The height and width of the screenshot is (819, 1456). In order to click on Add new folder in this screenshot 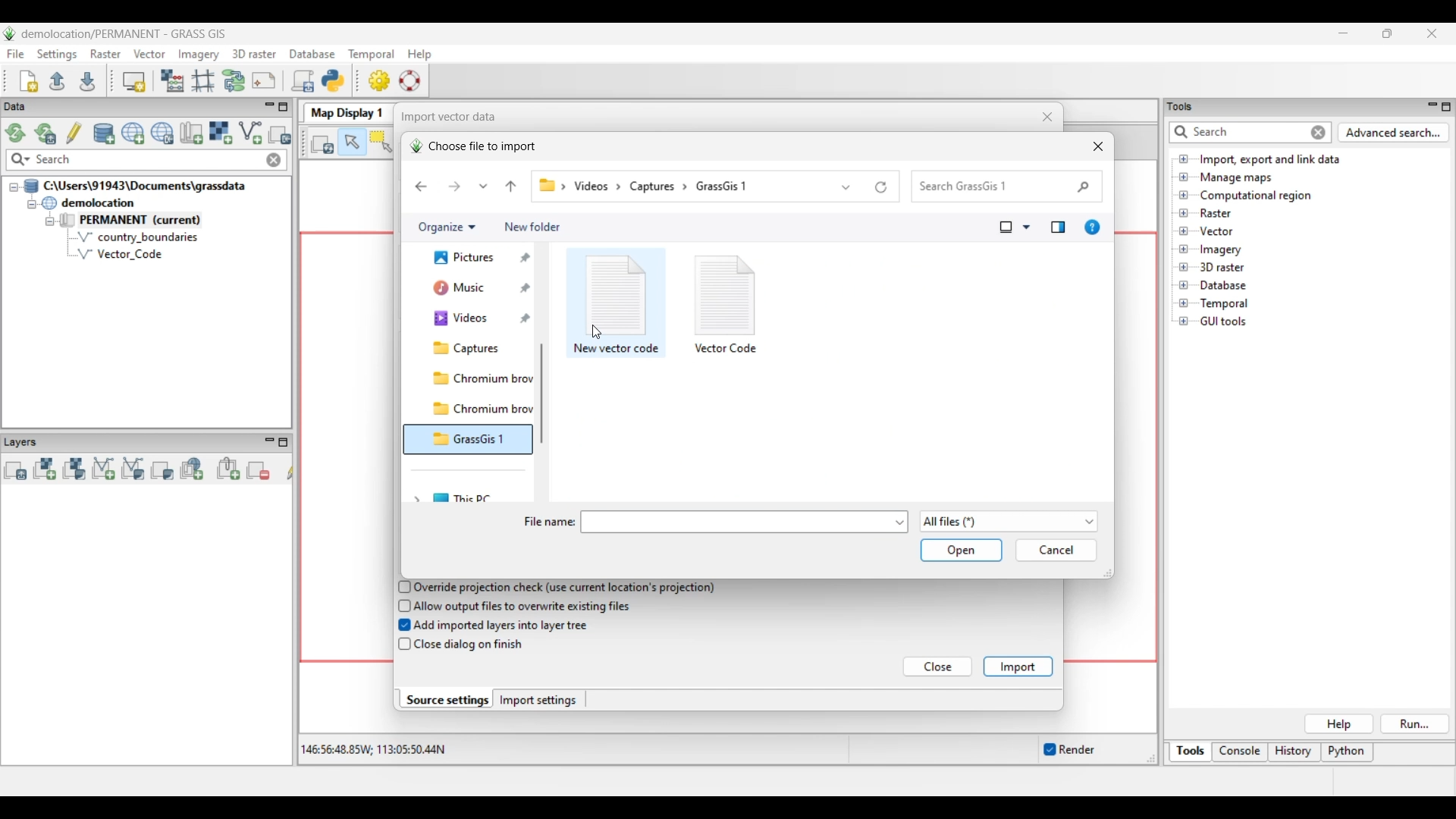, I will do `click(532, 227)`.